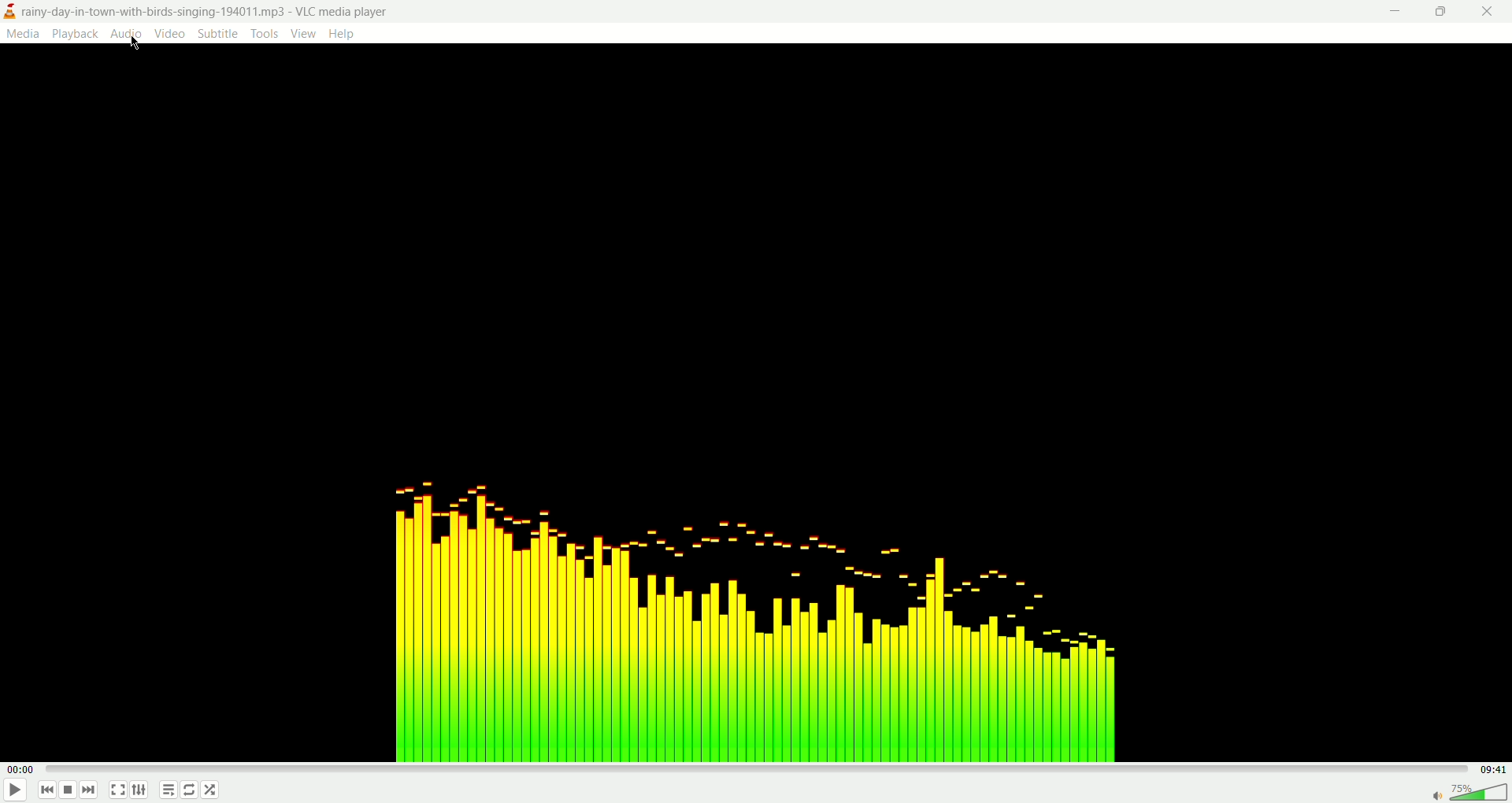 The height and width of the screenshot is (803, 1512). Describe the element at coordinates (190, 789) in the screenshot. I see `loop` at that location.